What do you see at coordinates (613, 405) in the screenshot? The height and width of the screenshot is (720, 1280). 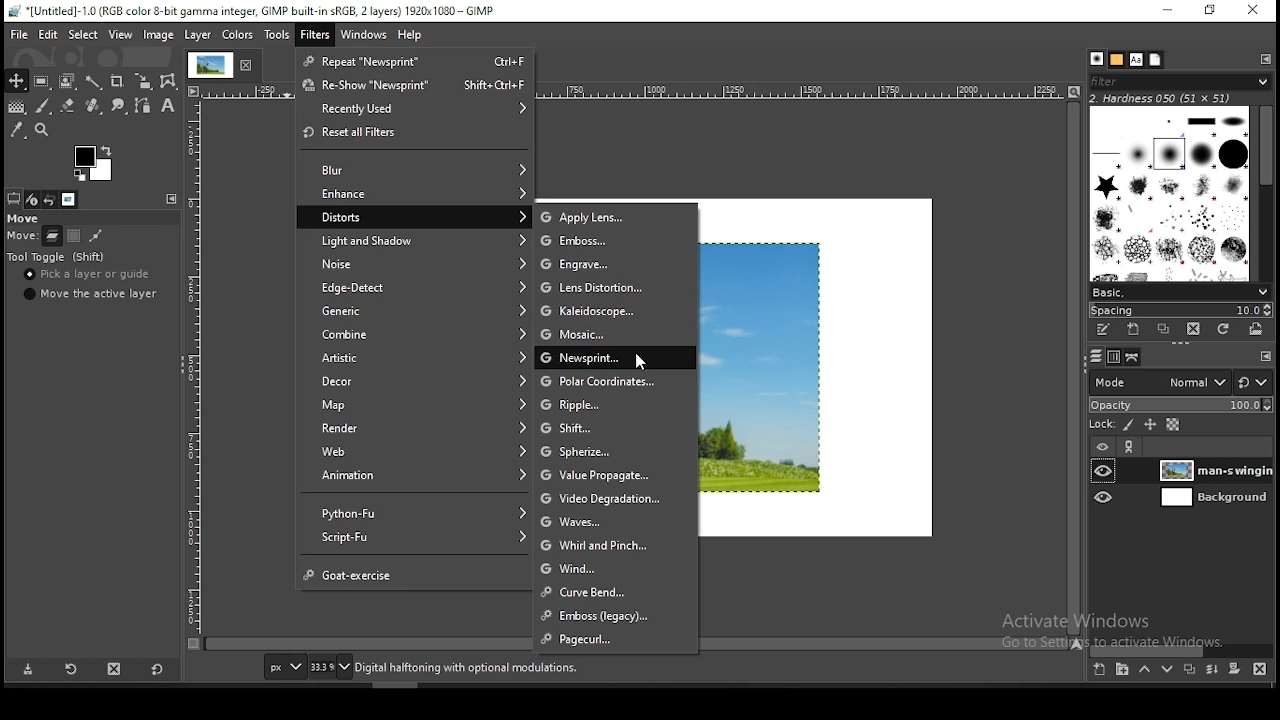 I see `ripple` at bounding box center [613, 405].